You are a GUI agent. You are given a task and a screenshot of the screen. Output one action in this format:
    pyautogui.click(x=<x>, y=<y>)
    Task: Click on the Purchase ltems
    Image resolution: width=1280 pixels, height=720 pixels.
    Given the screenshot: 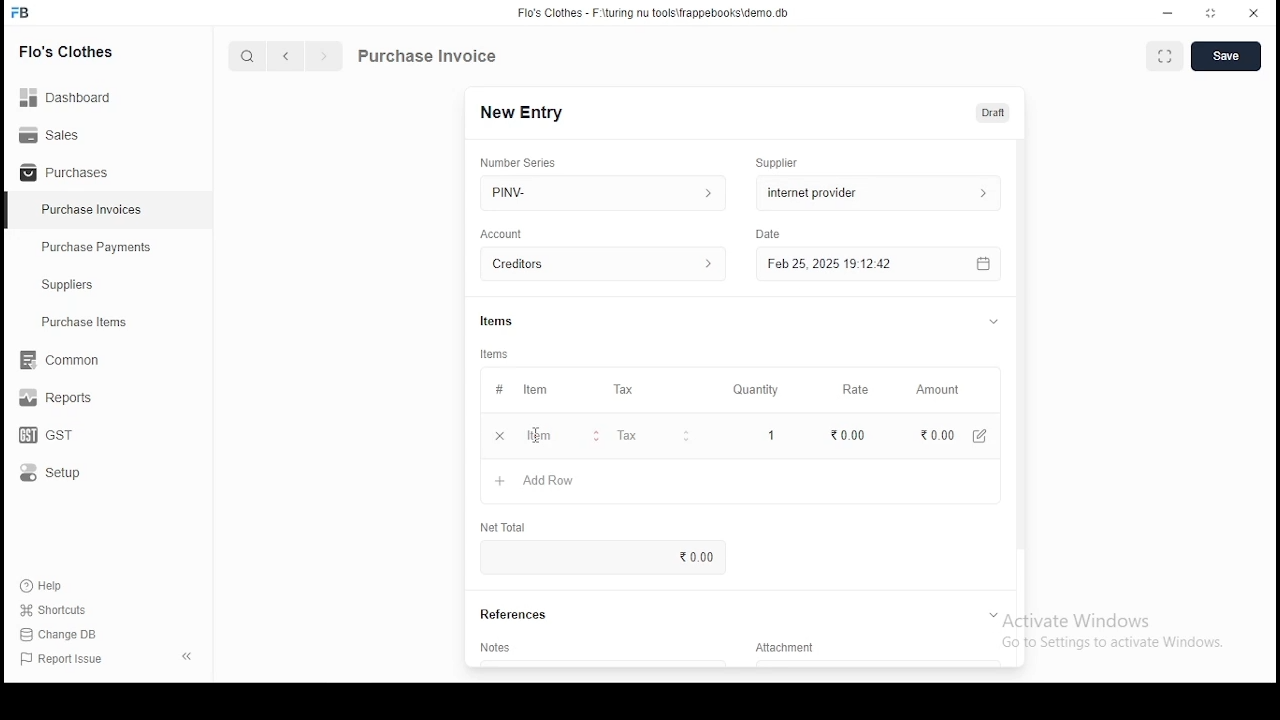 What is the action you would take?
    pyautogui.click(x=75, y=323)
    